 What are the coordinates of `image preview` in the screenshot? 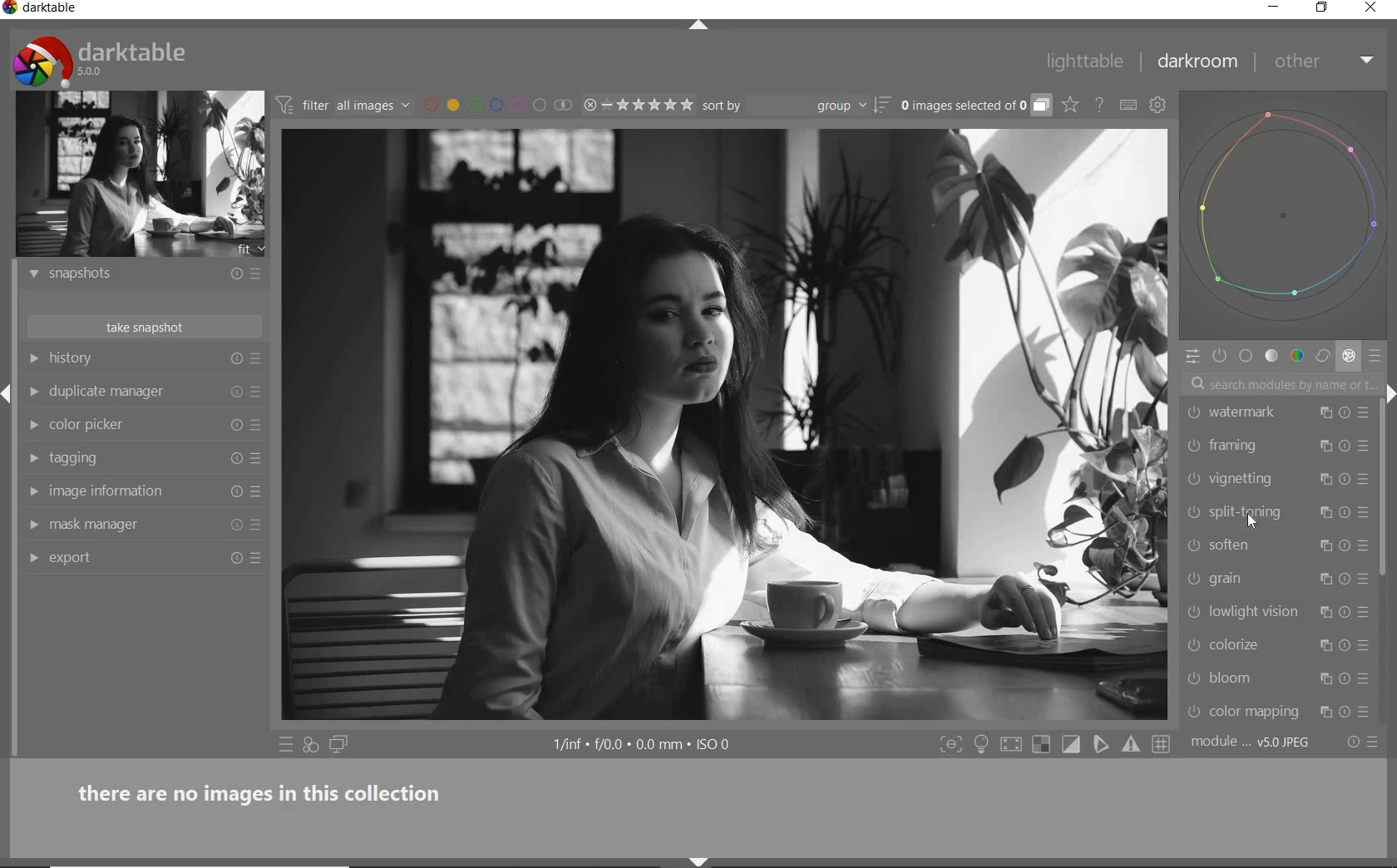 It's located at (141, 175).